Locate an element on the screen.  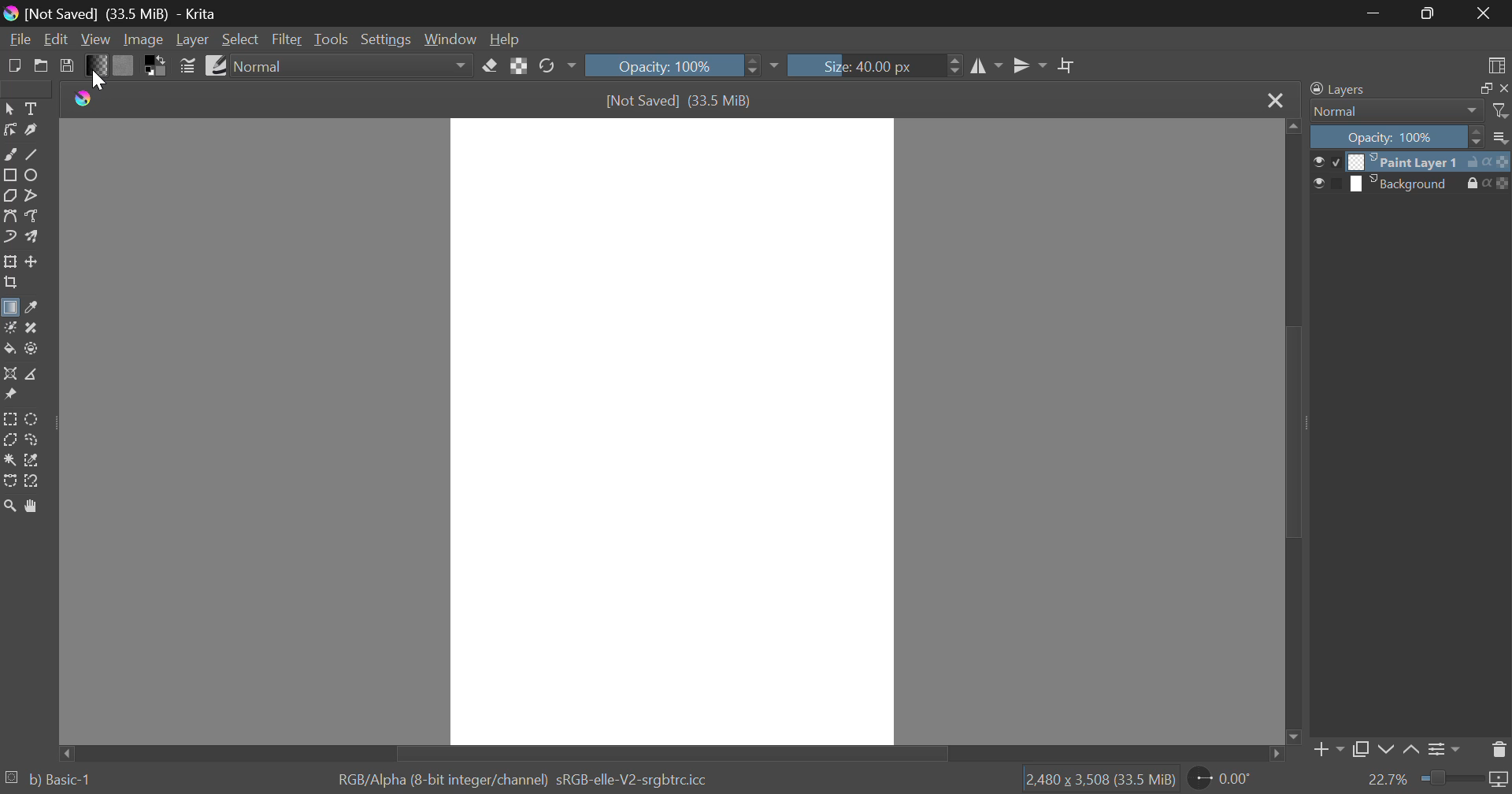
Background is located at coordinates (1407, 184).